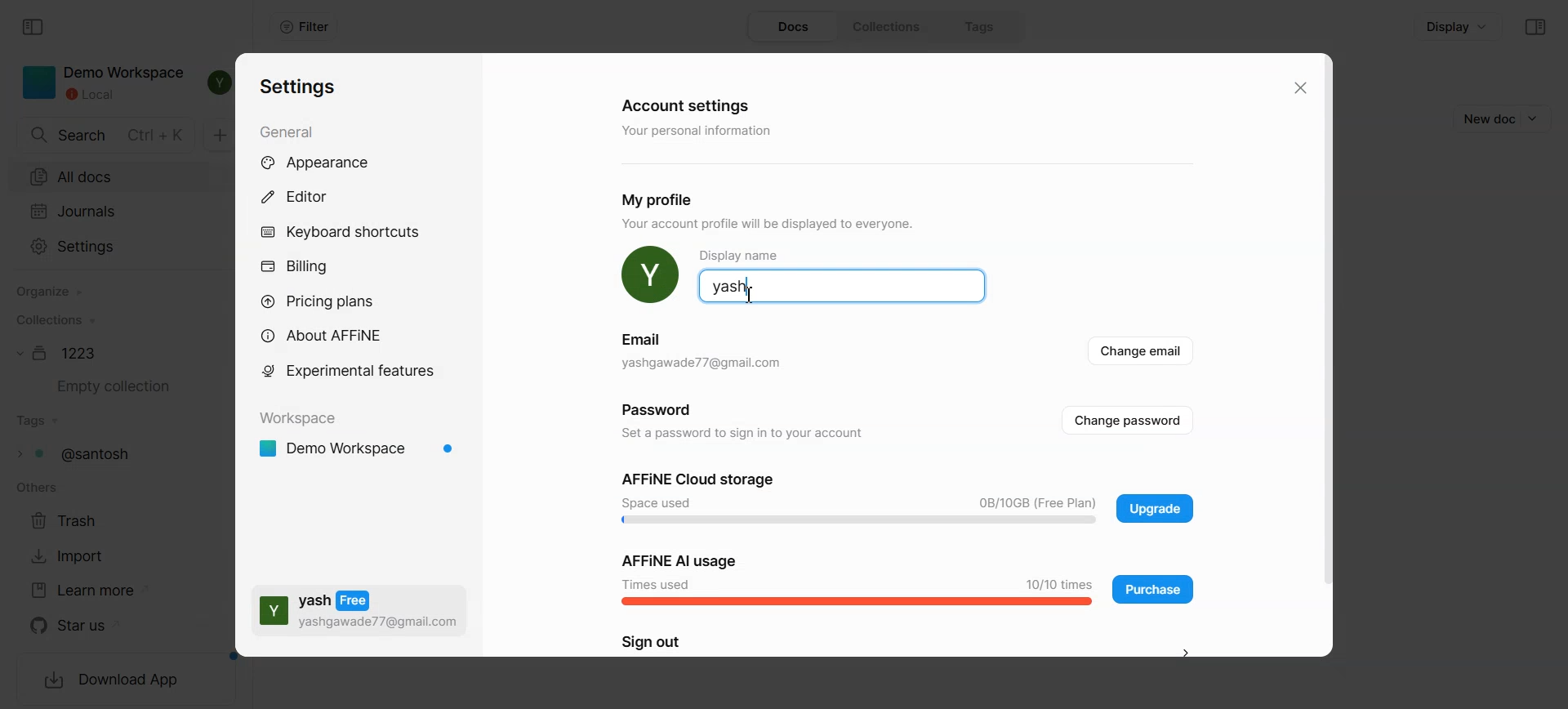 This screenshot has width=1568, height=709. What do you see at coordinates (359, 450) in the screenshot?
I see `Demo workspace` at bounding box center [359, 450].